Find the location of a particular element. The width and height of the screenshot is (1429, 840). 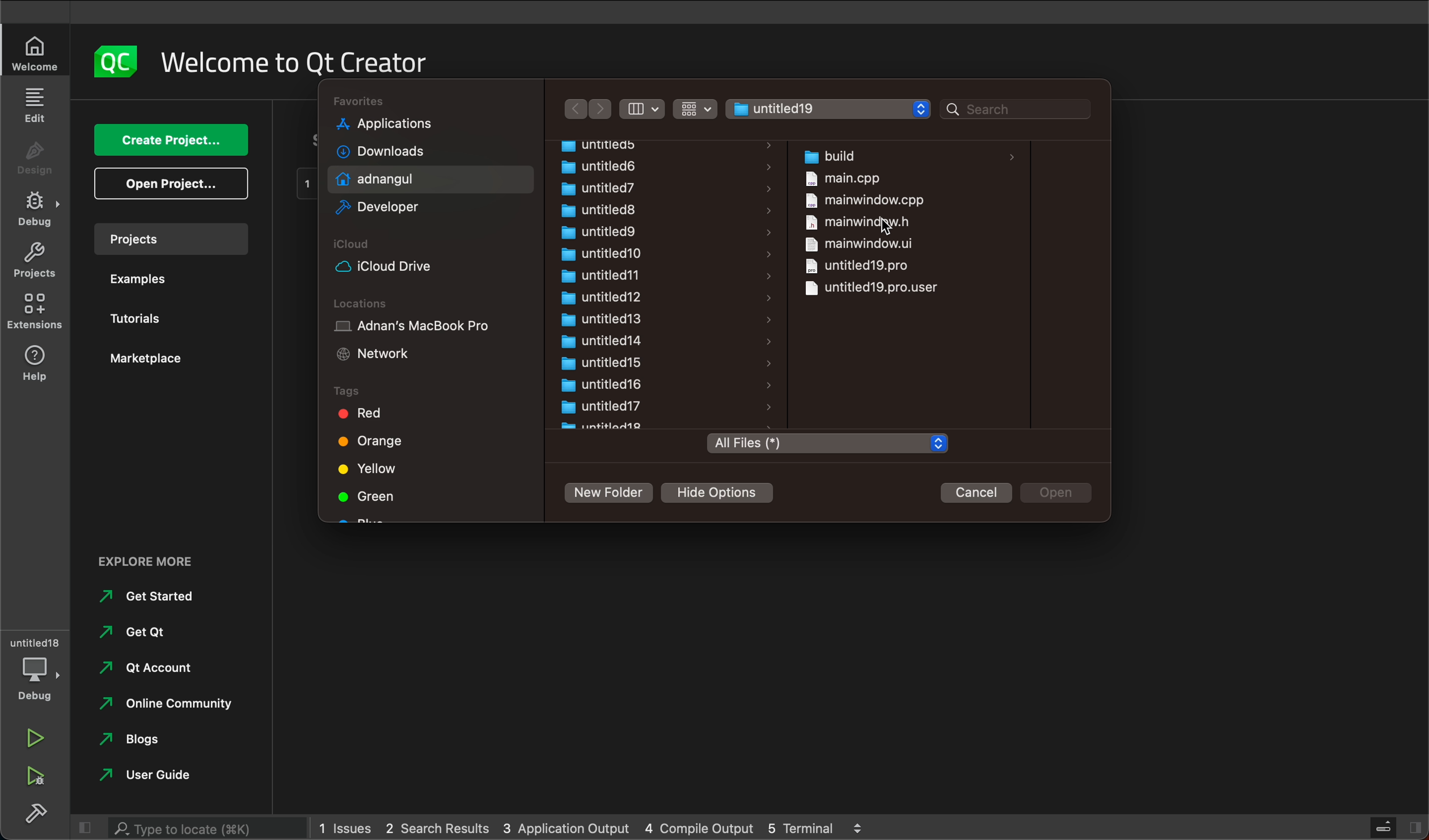

welcome  is located at coordinates (360, 61).